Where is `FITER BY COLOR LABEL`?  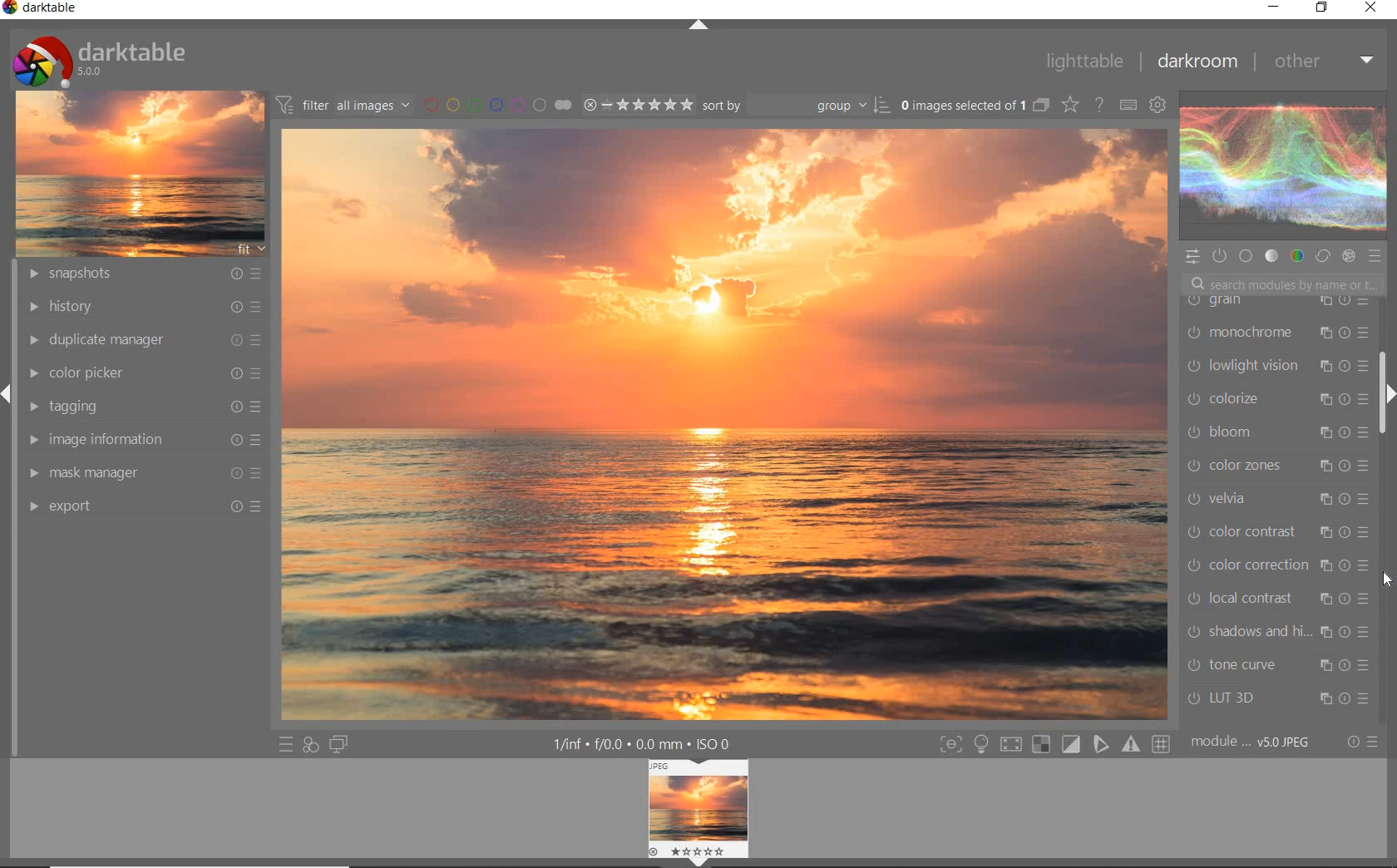 FITER BY COLOR LABEL is located at coordinates (496, 104).